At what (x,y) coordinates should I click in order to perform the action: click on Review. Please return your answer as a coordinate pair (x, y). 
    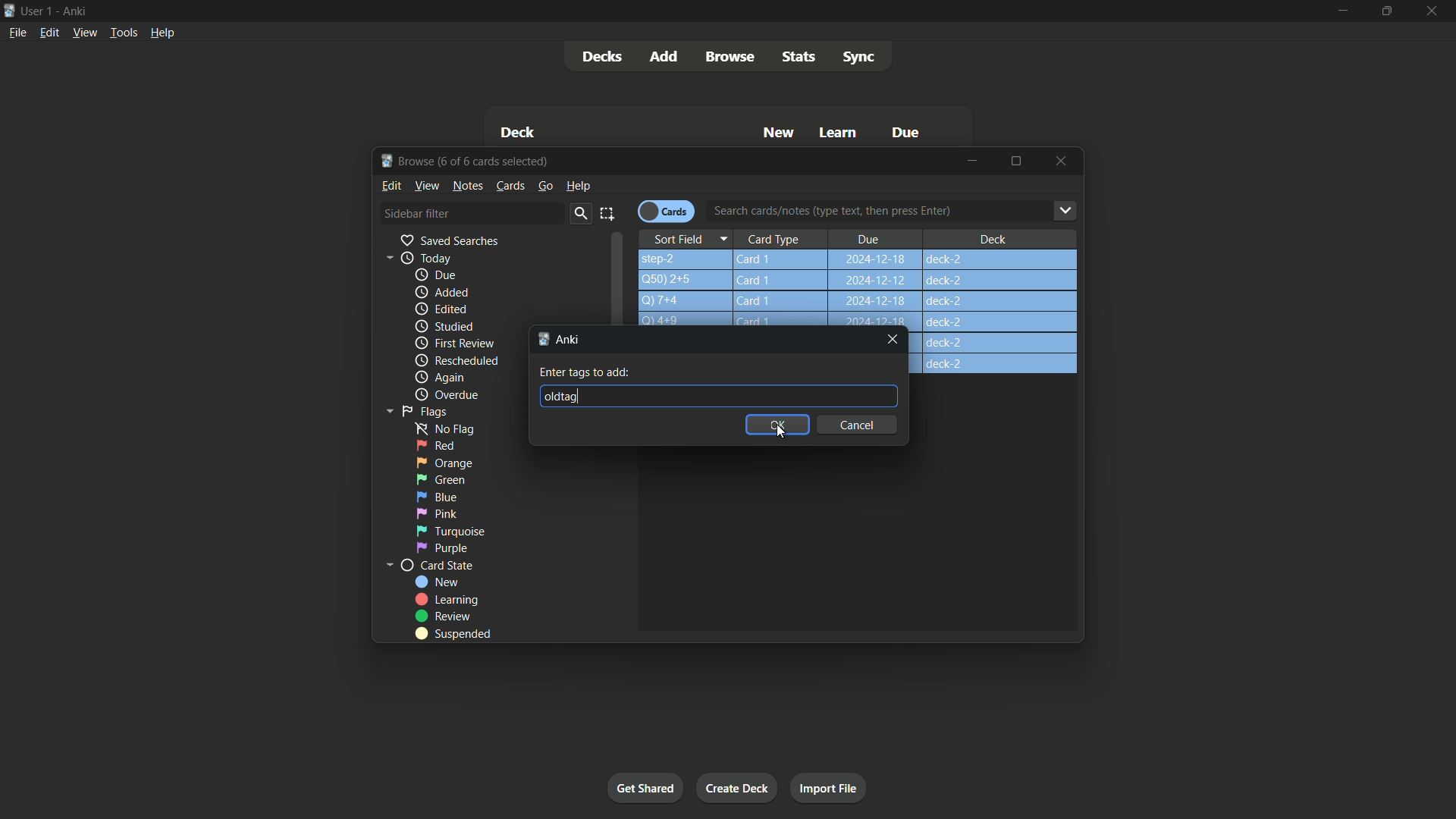
    Looking at the image, I should click on (445, 616).